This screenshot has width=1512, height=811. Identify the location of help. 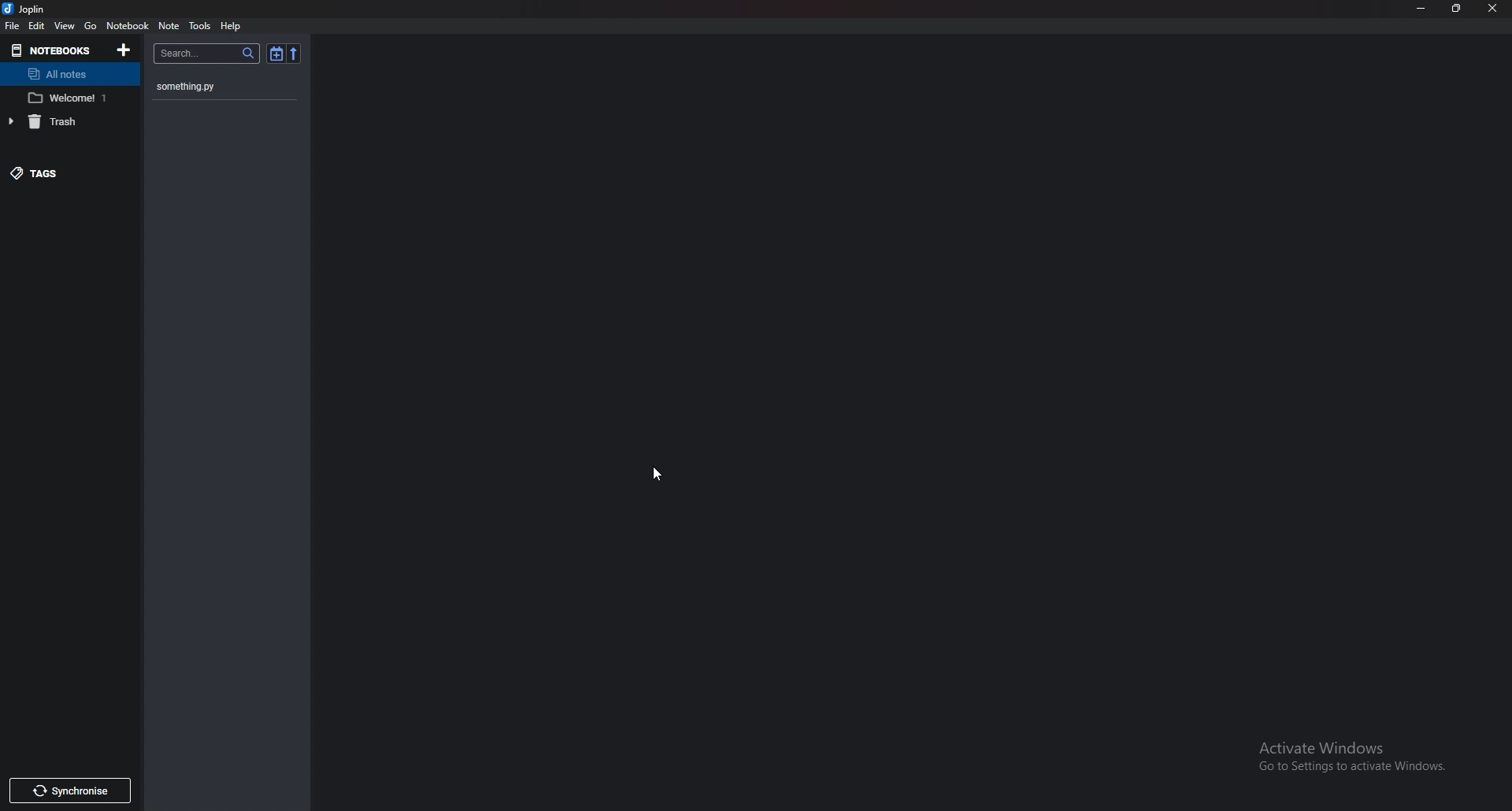
(232, 25).